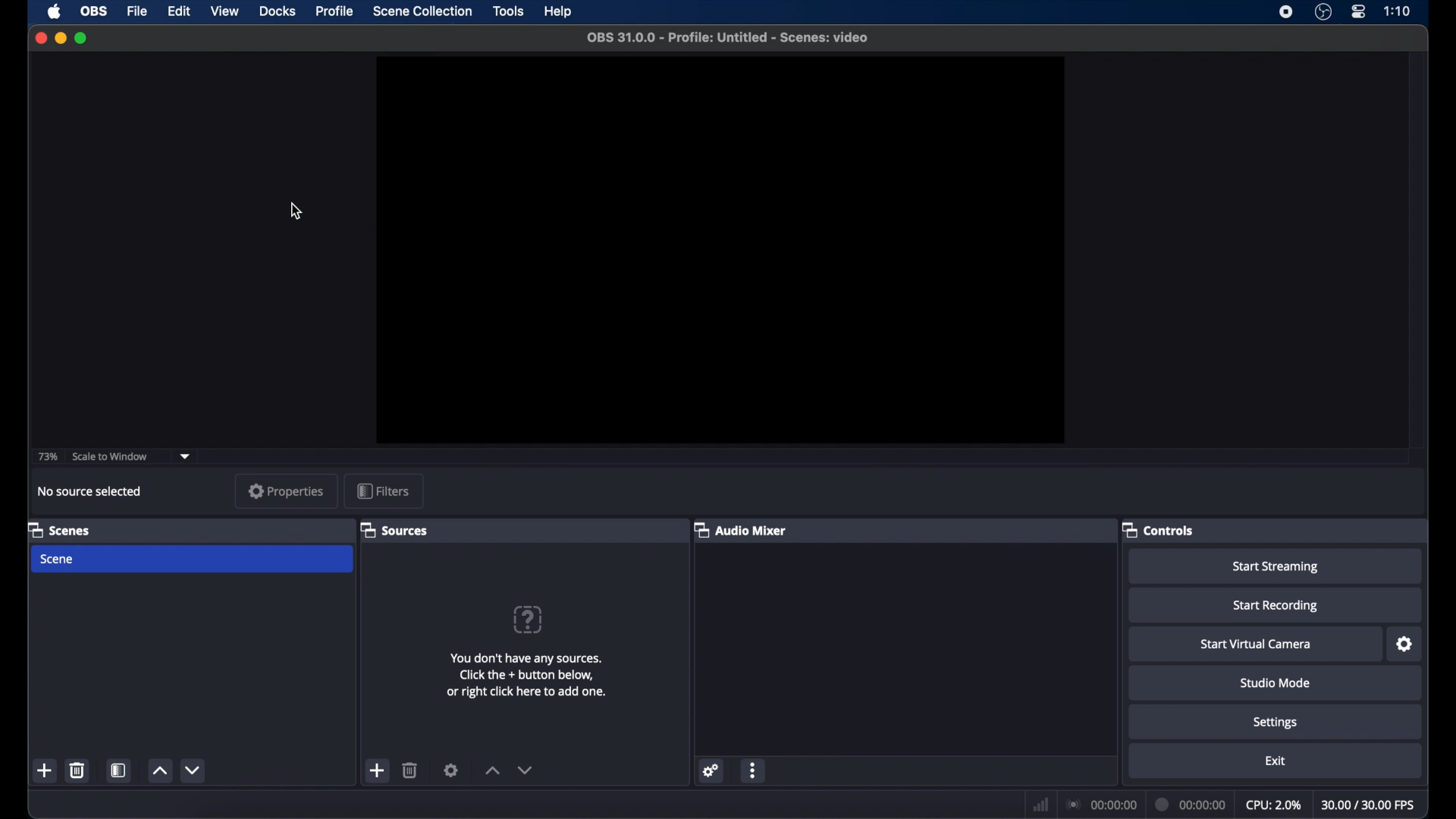  Describe the element at coordinates (559, 12) in the screenshot. I see `help` at that location.